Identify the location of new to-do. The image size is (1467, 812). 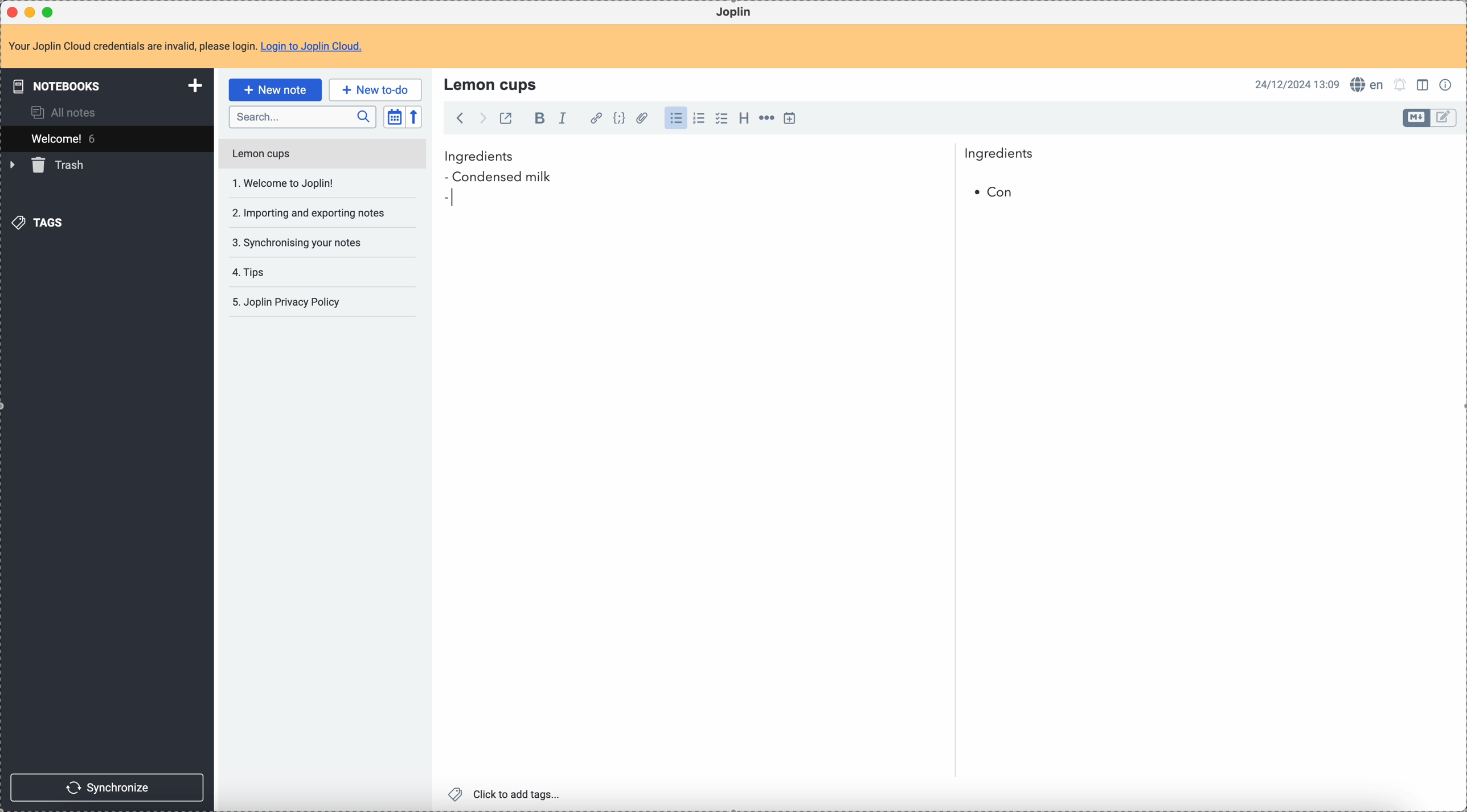
(375, 89).